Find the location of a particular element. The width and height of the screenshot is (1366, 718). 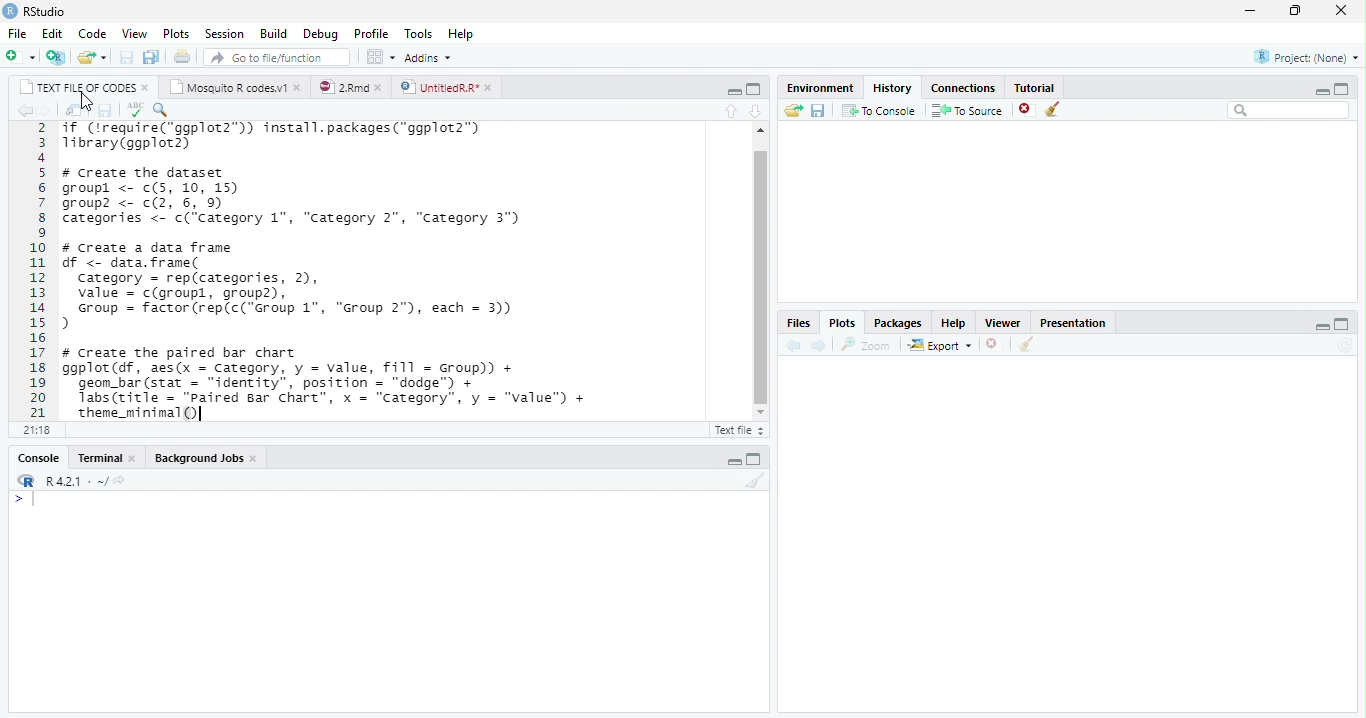

previous plot is located at coordinates (793, 346).